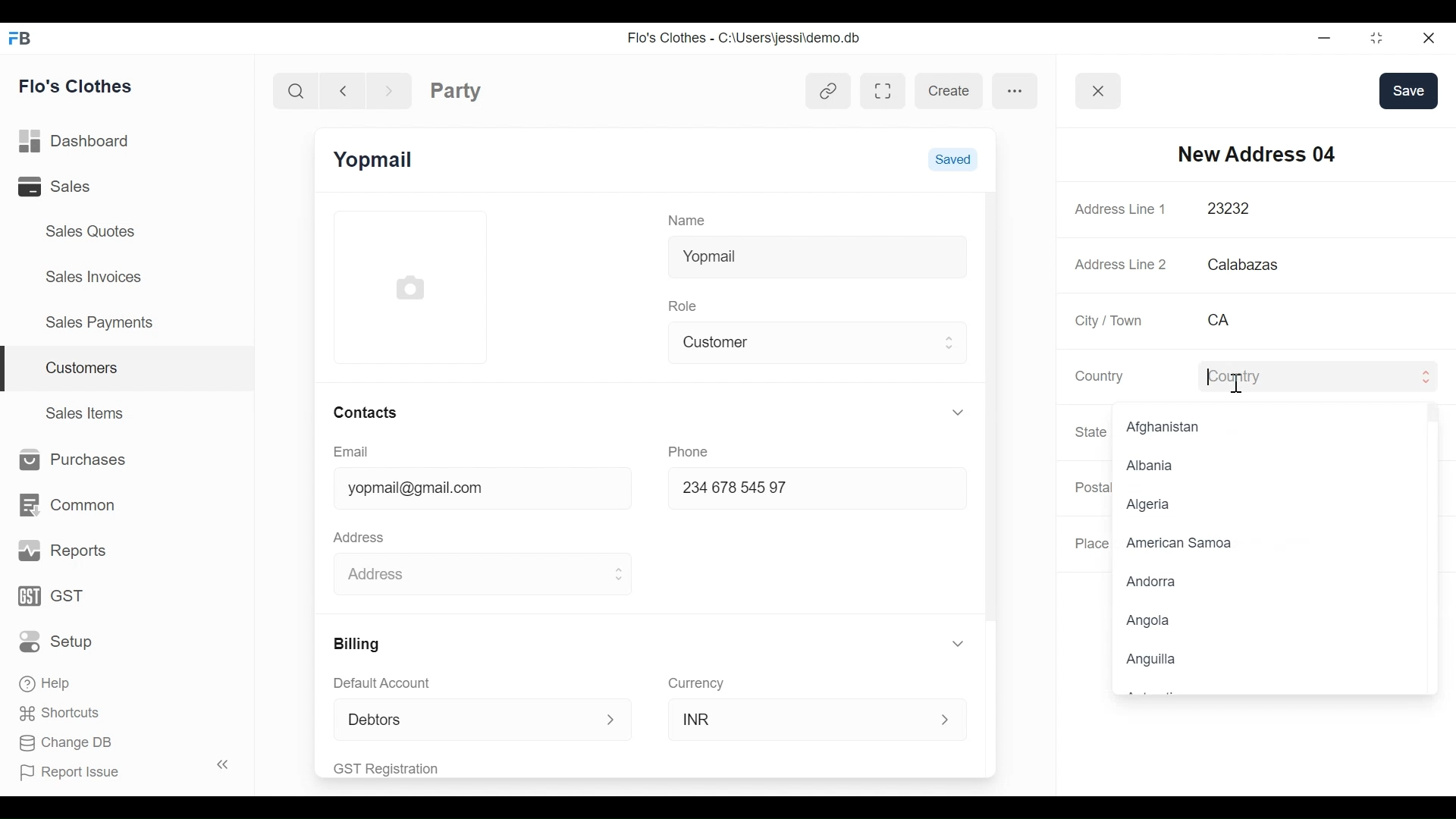 The image size is (1456, 819). Describe the element at coordinates (1181, 544) in the screenshot. I see `American Samoa` at that location.